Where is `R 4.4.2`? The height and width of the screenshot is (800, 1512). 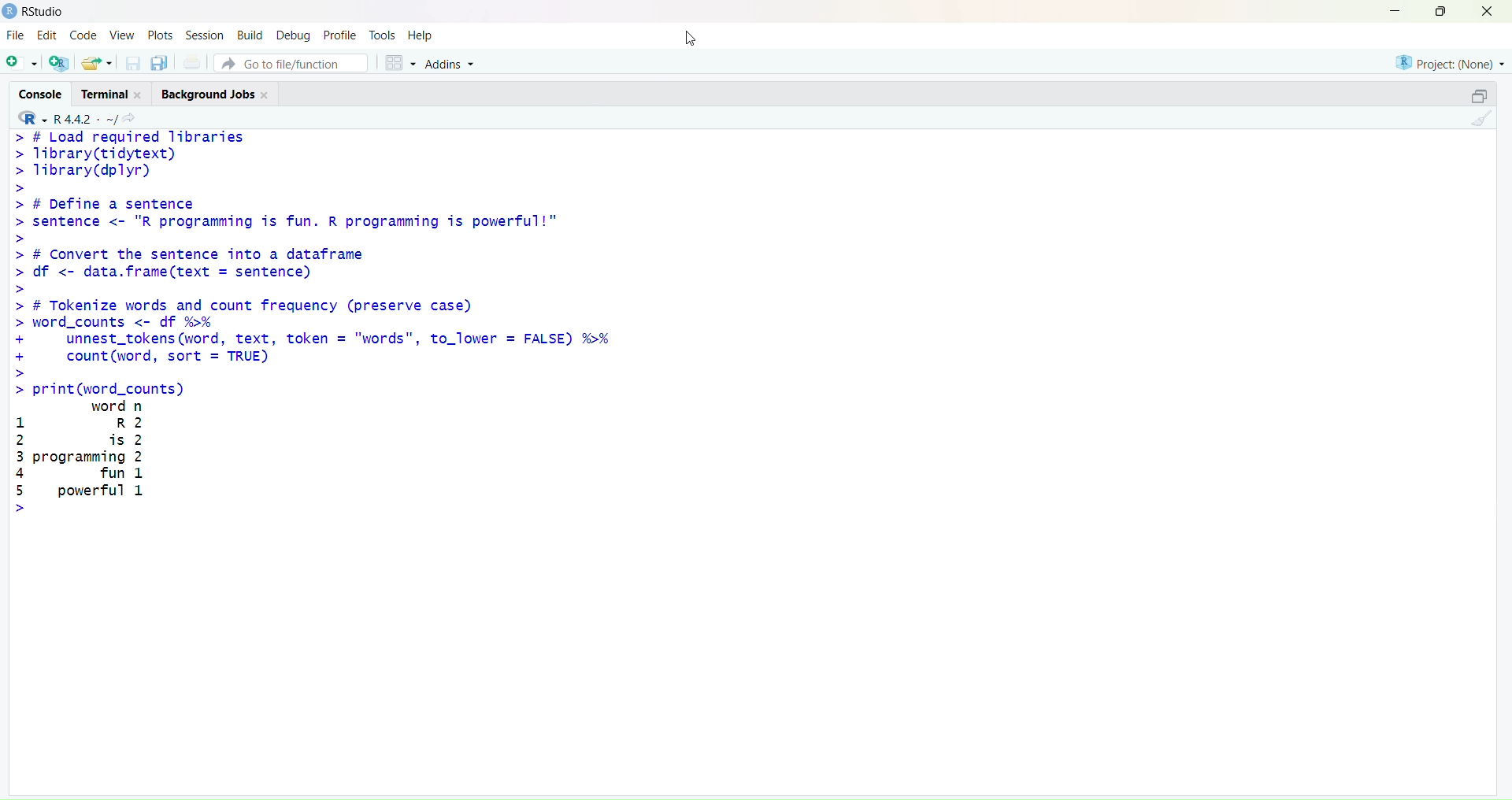
R 4.4.2 is located at coordinates (65, 117).